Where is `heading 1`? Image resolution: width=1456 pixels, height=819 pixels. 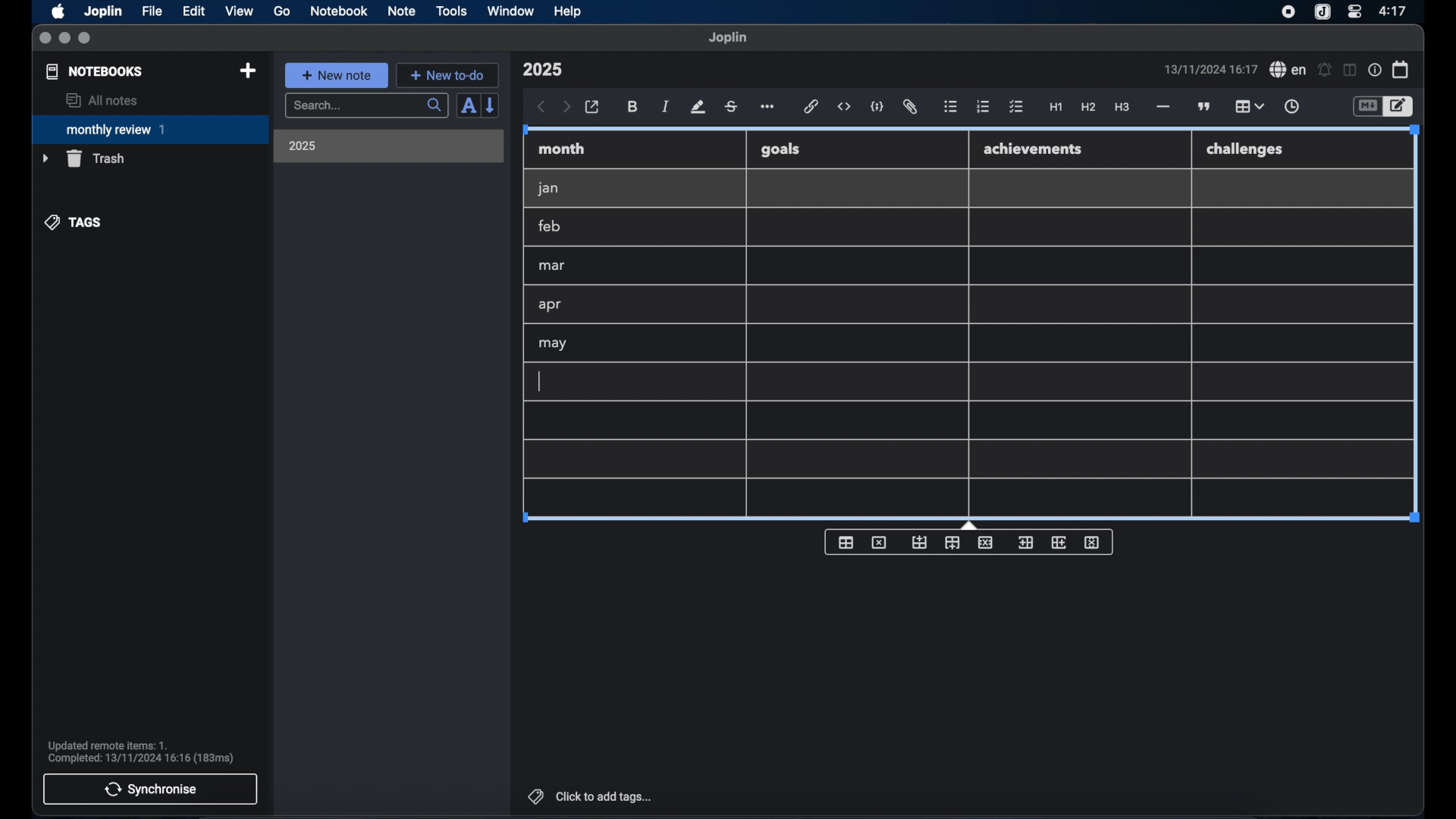 heading 1 is located at coordinates (1056, 108).